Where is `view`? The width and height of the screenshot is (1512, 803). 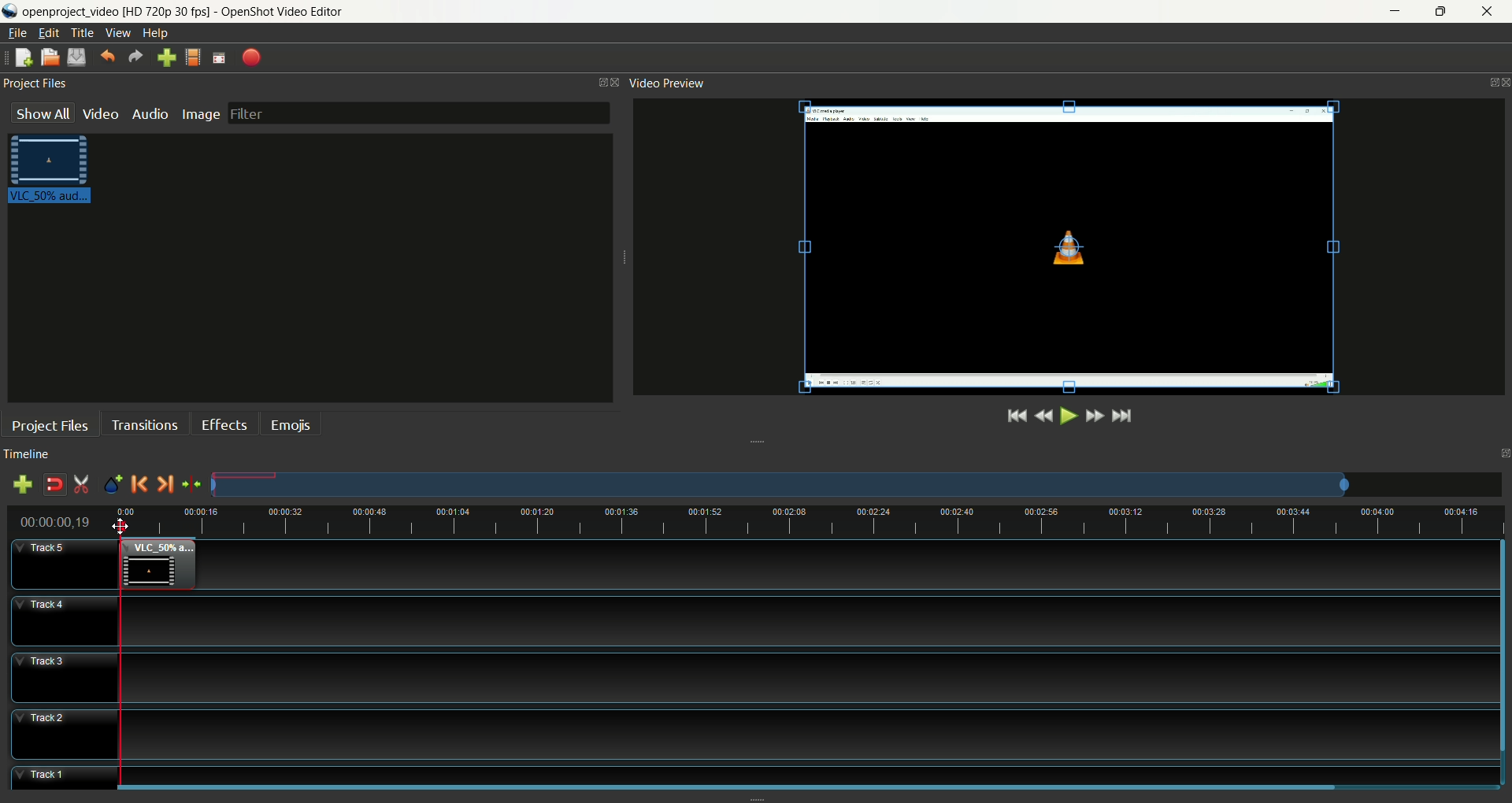
view is located at coordinates (117, 34).